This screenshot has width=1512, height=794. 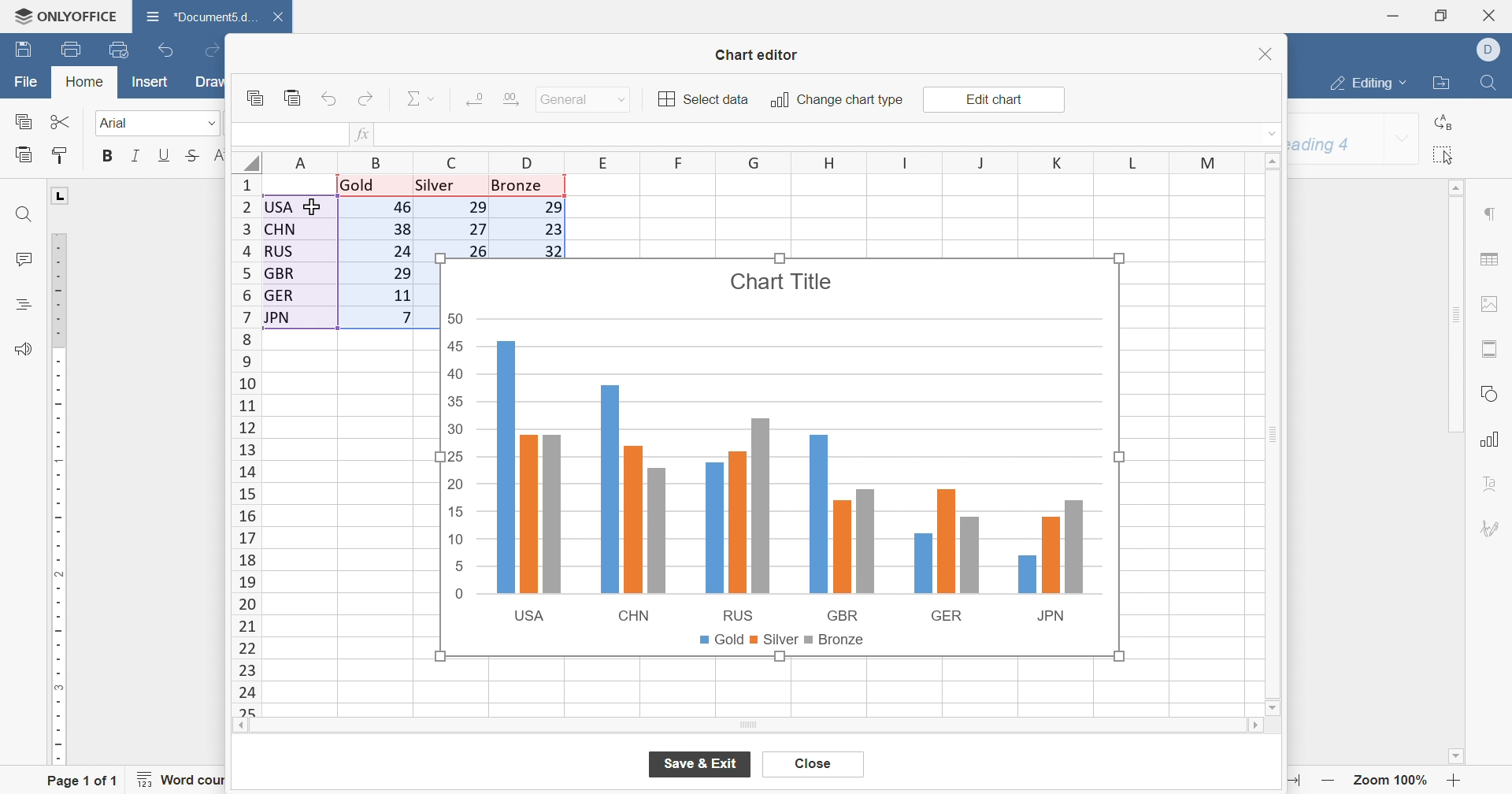 What do you see at coordinates (1440, 17) in the screenshot?
I see `restore down` at bounding box center [1440, 17].